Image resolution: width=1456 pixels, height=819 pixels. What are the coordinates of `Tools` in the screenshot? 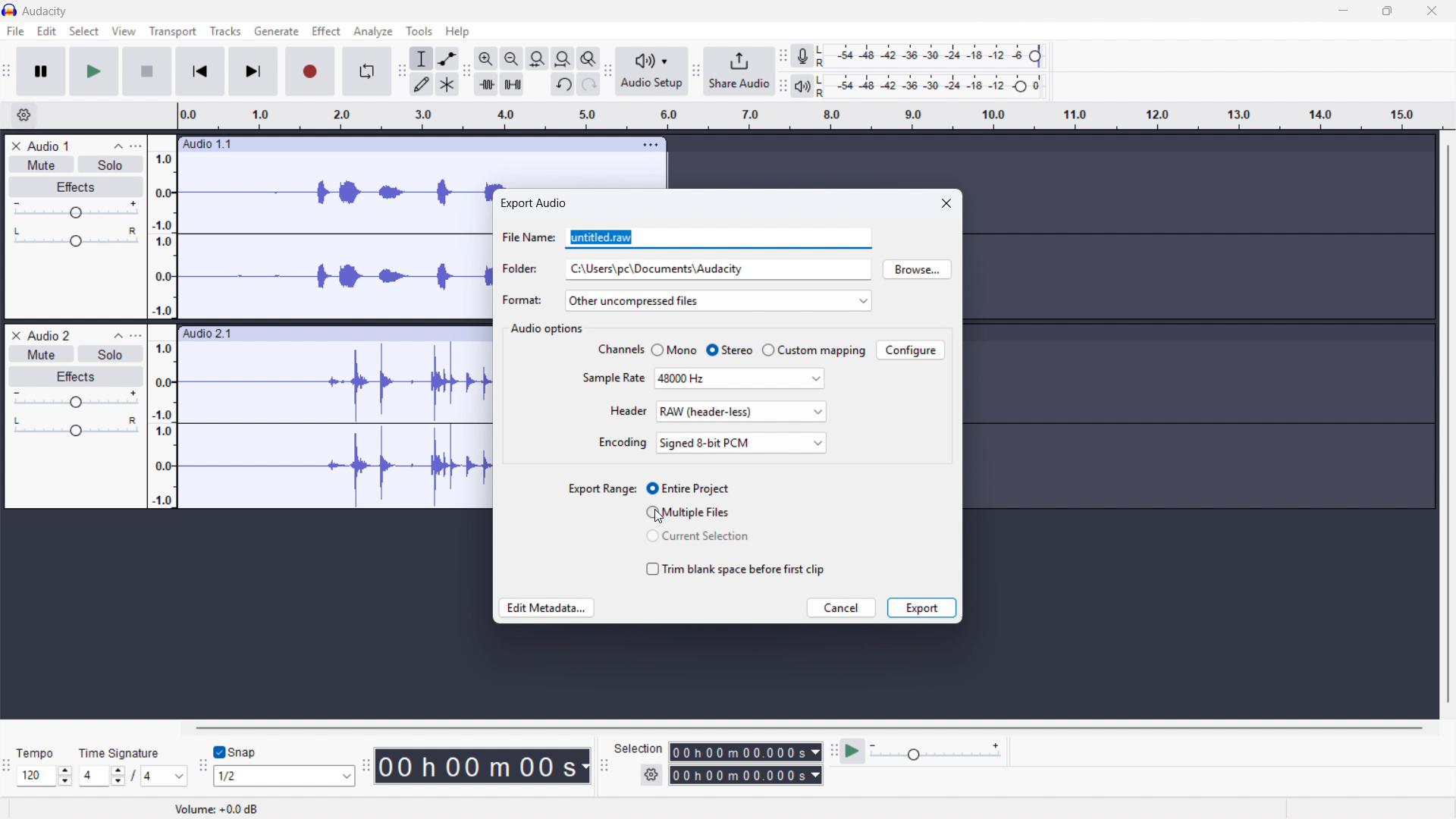 It's located at (419, 31).